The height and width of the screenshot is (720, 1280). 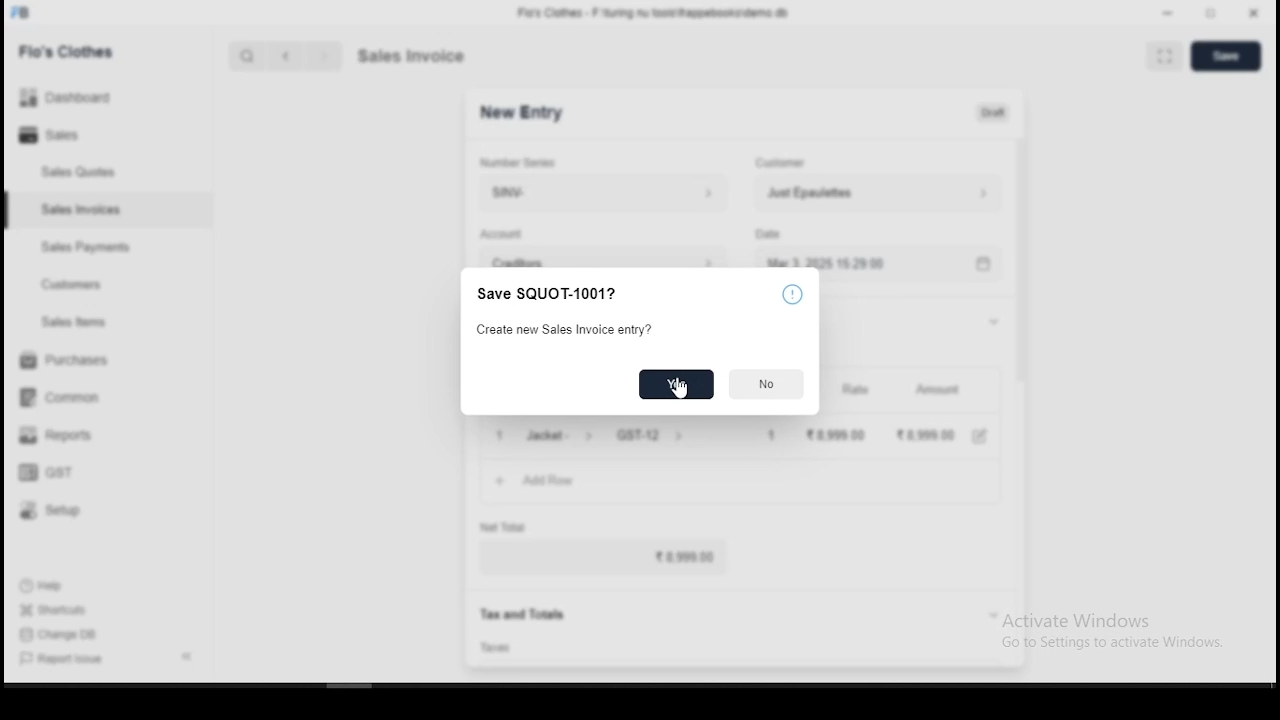 I want to click on CREditors, so click(x=604, y=257).